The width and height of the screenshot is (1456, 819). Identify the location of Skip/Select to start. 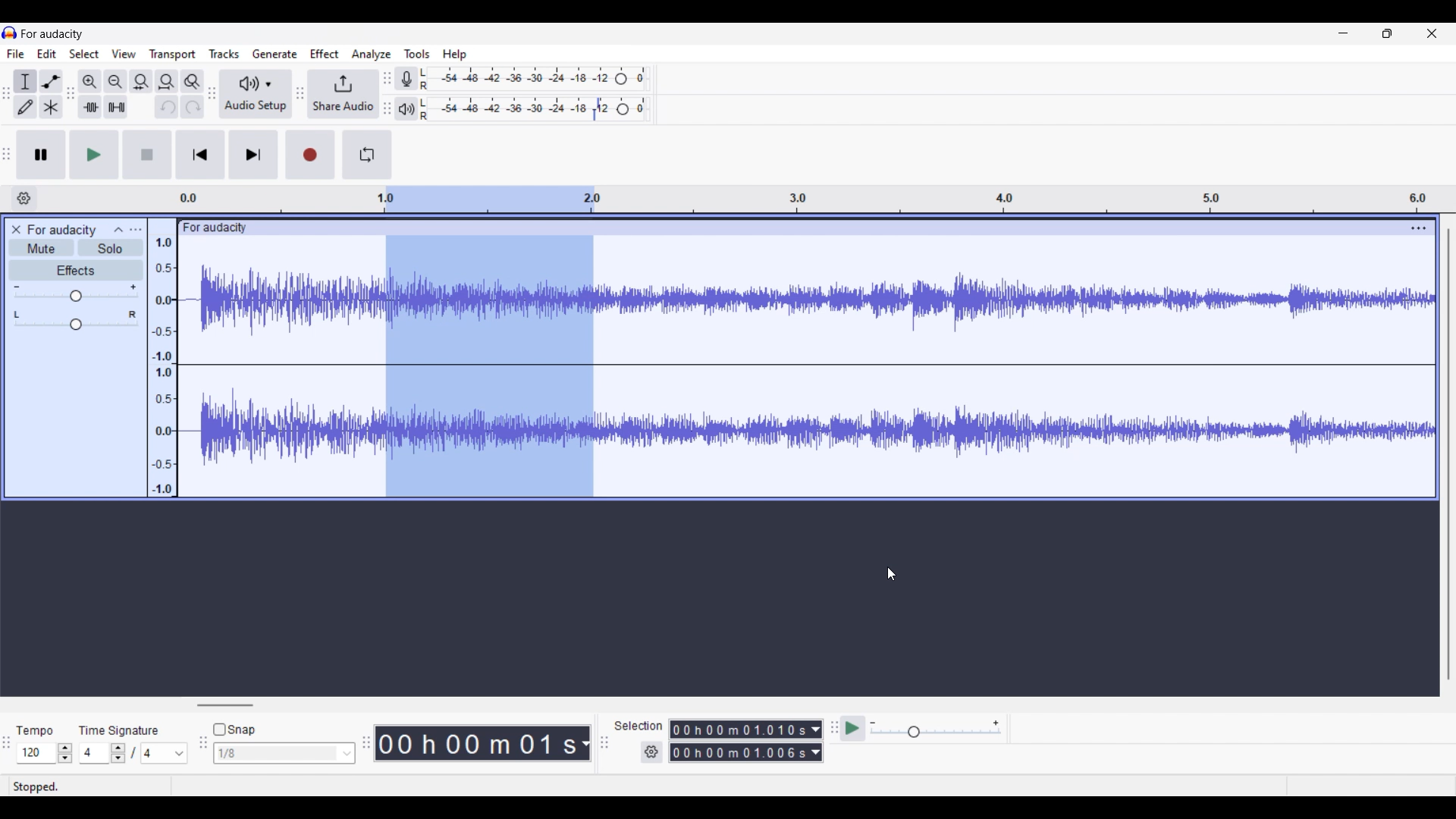
(200, 155).